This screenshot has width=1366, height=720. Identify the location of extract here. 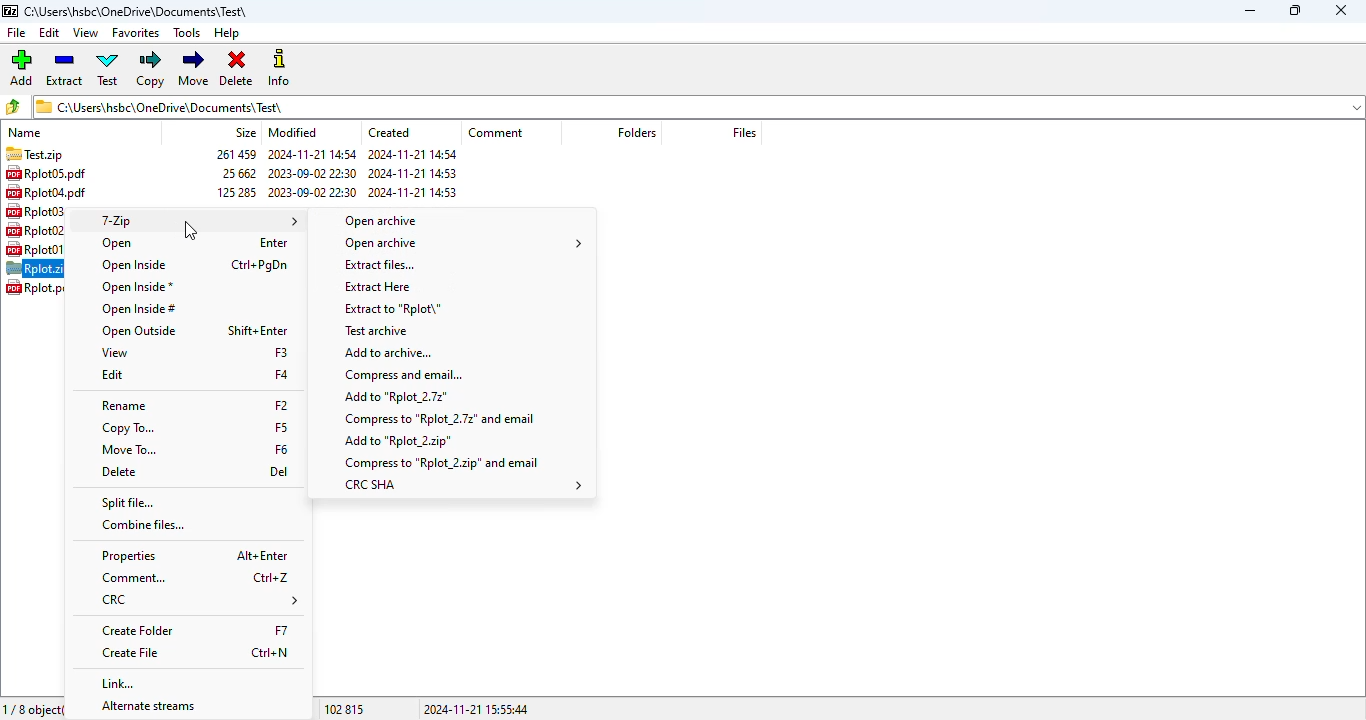
(380, 287).